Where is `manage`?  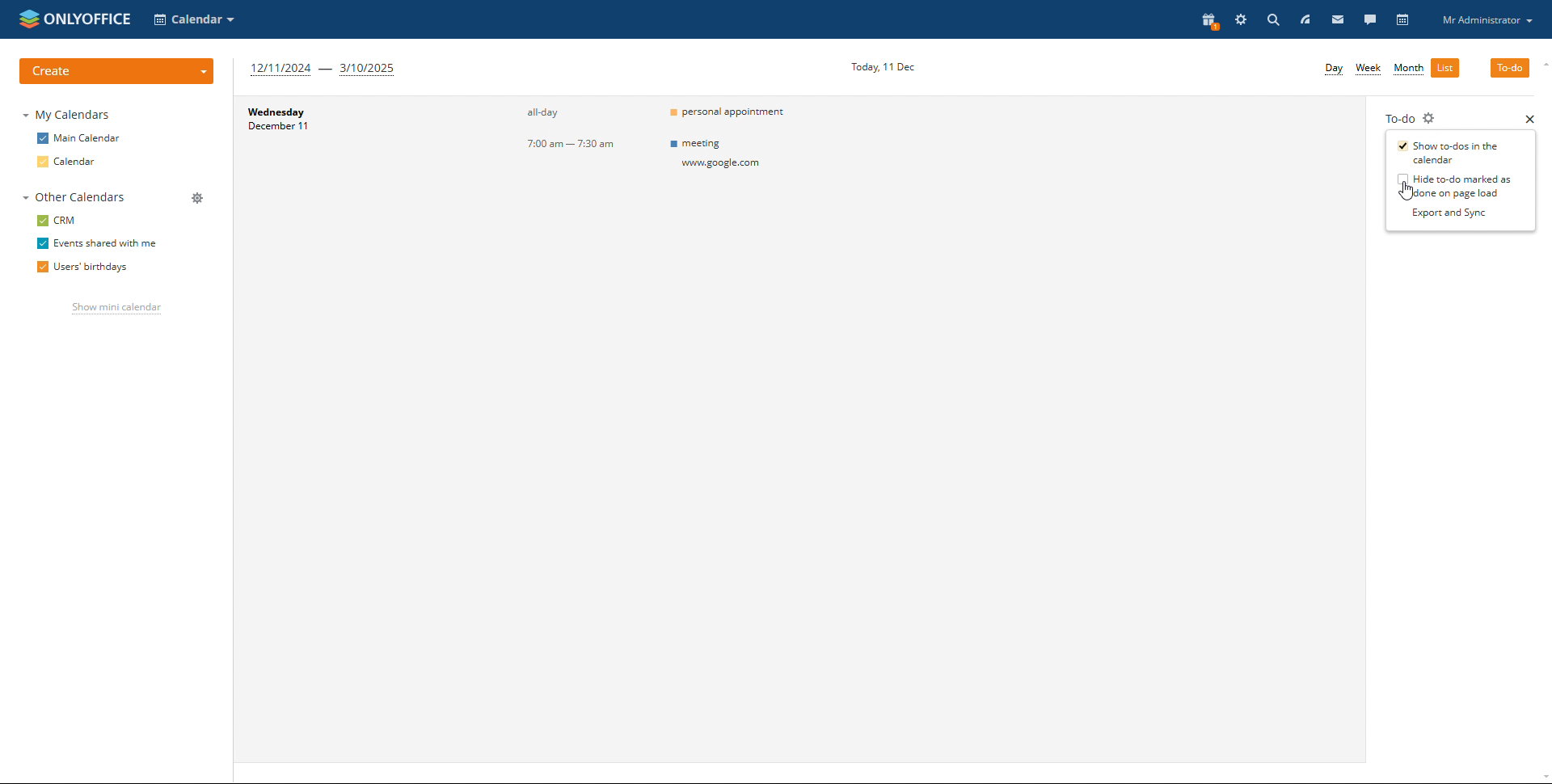 manage is located at coordinates (197, 198).